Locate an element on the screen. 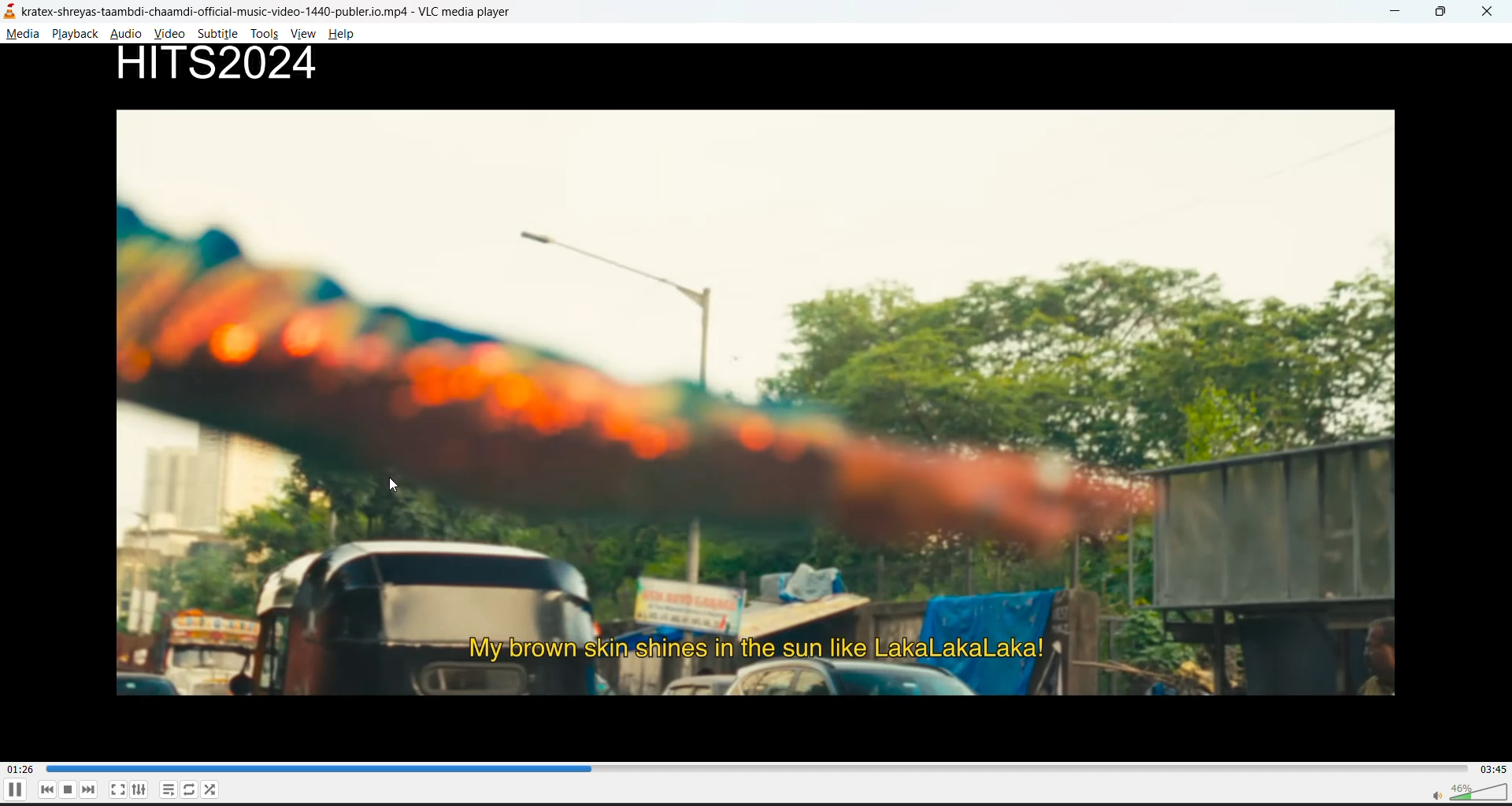 This screenshot has width=1512, height=806. volume is located at coordinates (1464, 792).